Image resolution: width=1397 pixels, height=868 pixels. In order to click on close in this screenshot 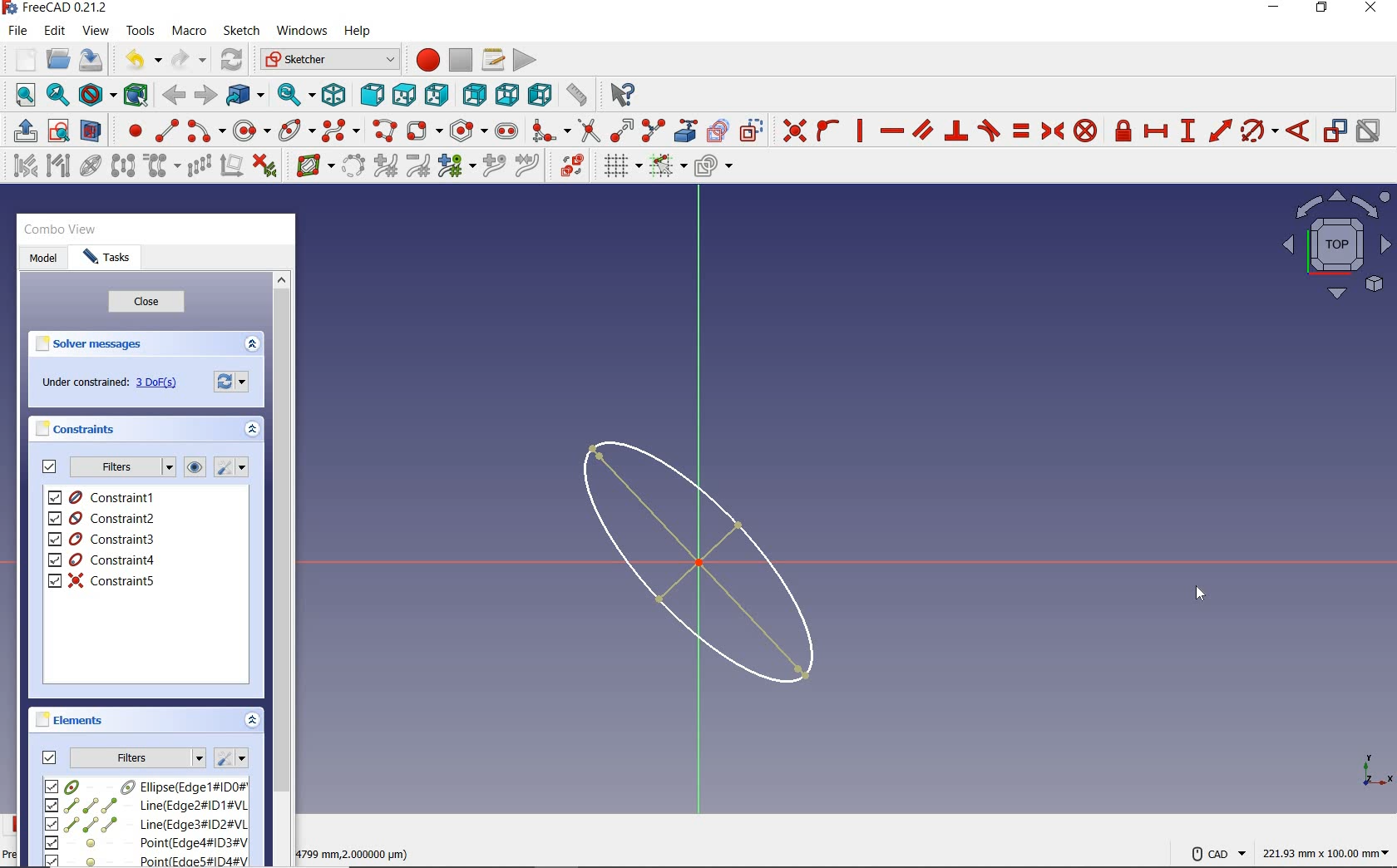, I will do `click(146, 303)`.